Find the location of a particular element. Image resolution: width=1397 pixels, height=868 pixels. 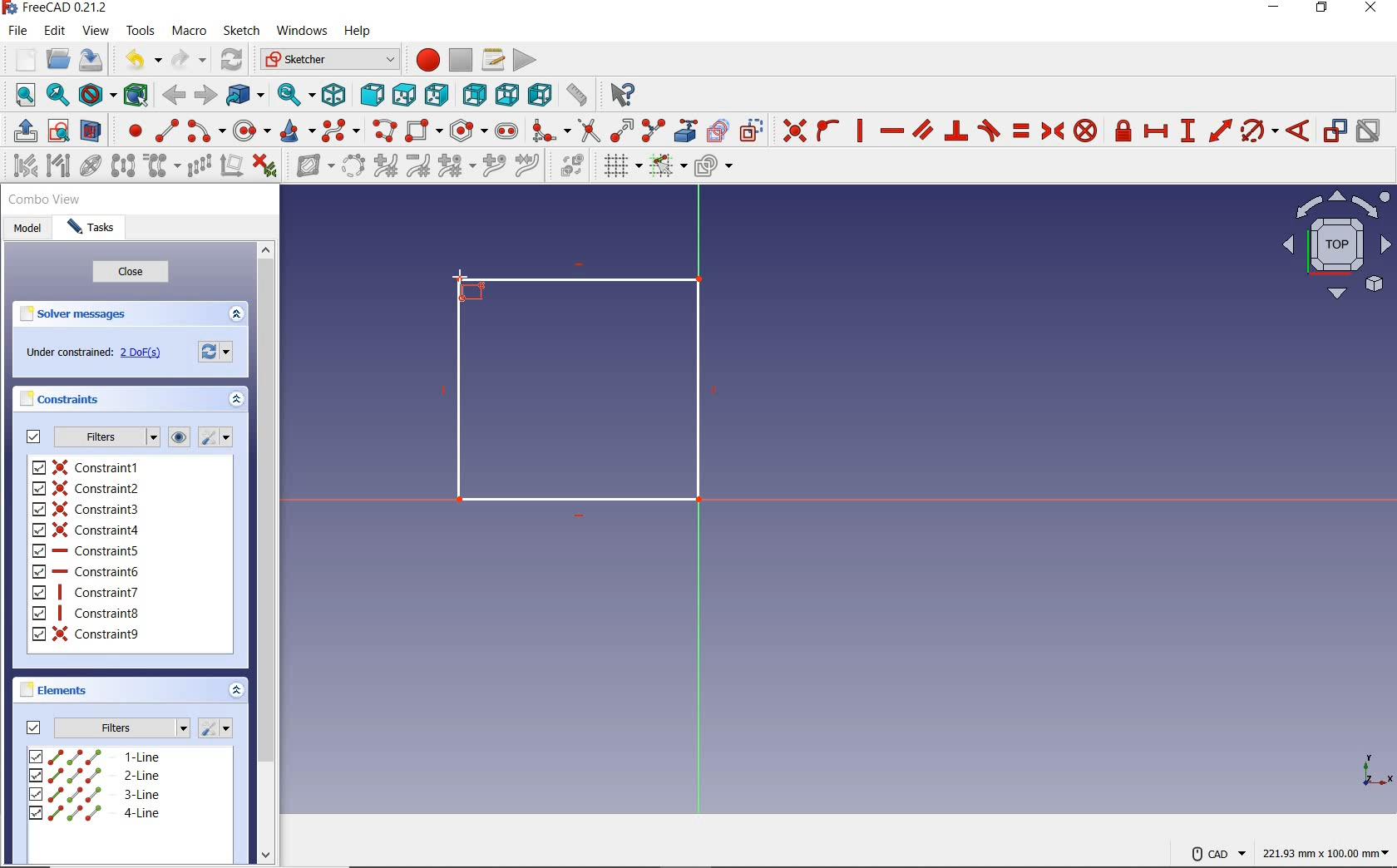

view sketch is located at coordinates (59, 131).